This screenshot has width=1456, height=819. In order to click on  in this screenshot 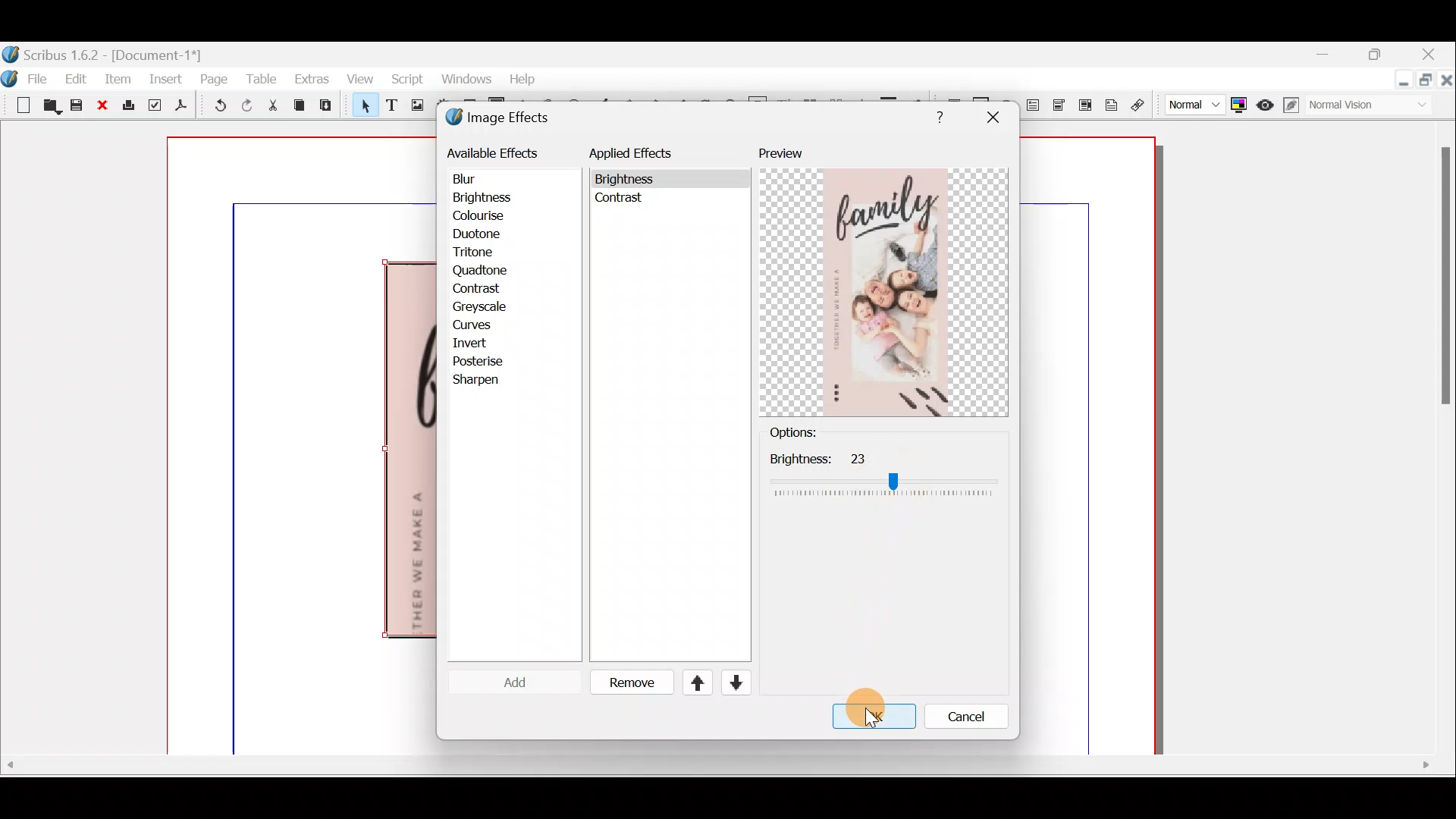, I will do `click(992, 118)`.